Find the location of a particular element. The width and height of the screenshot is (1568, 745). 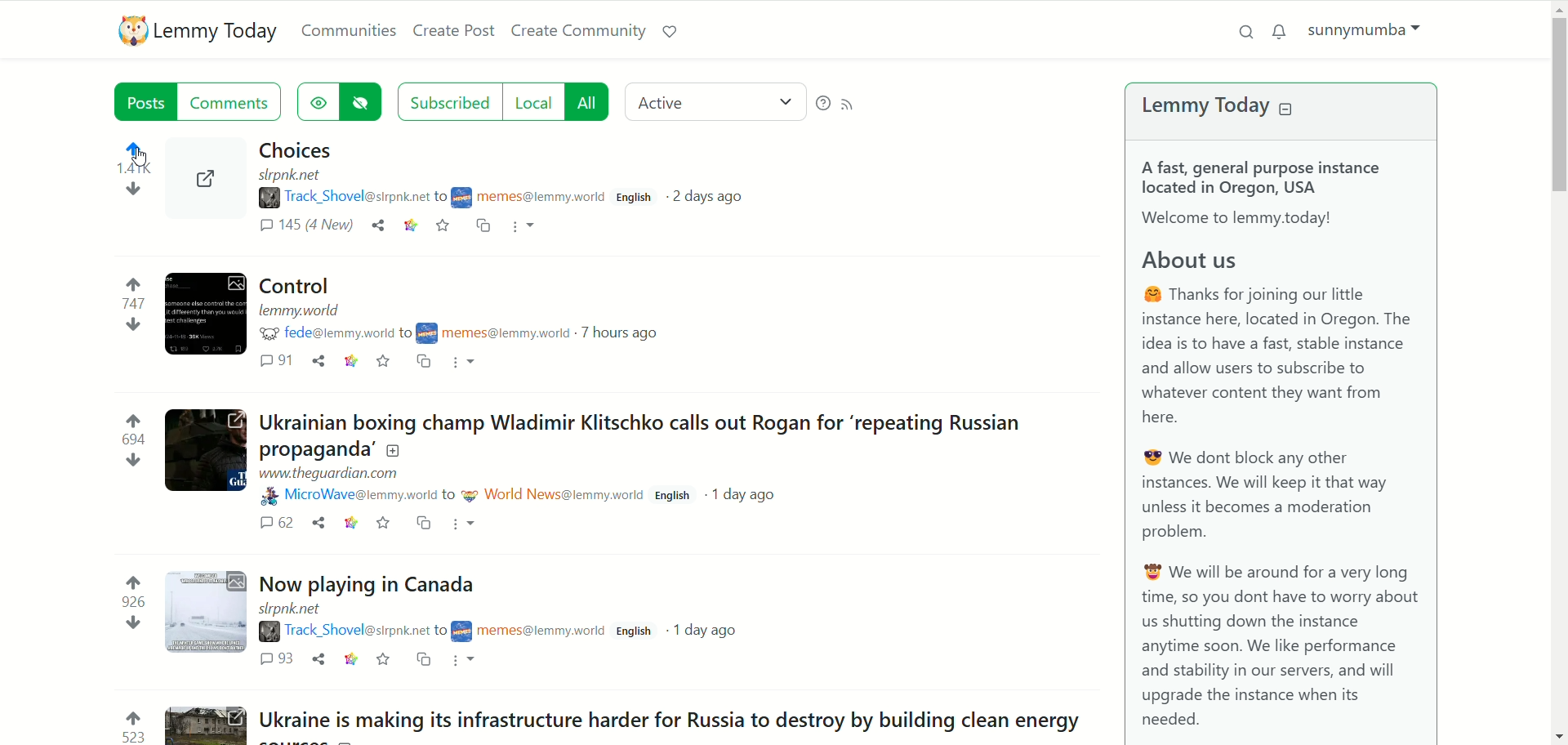

username is located at coordinates (509, 331).